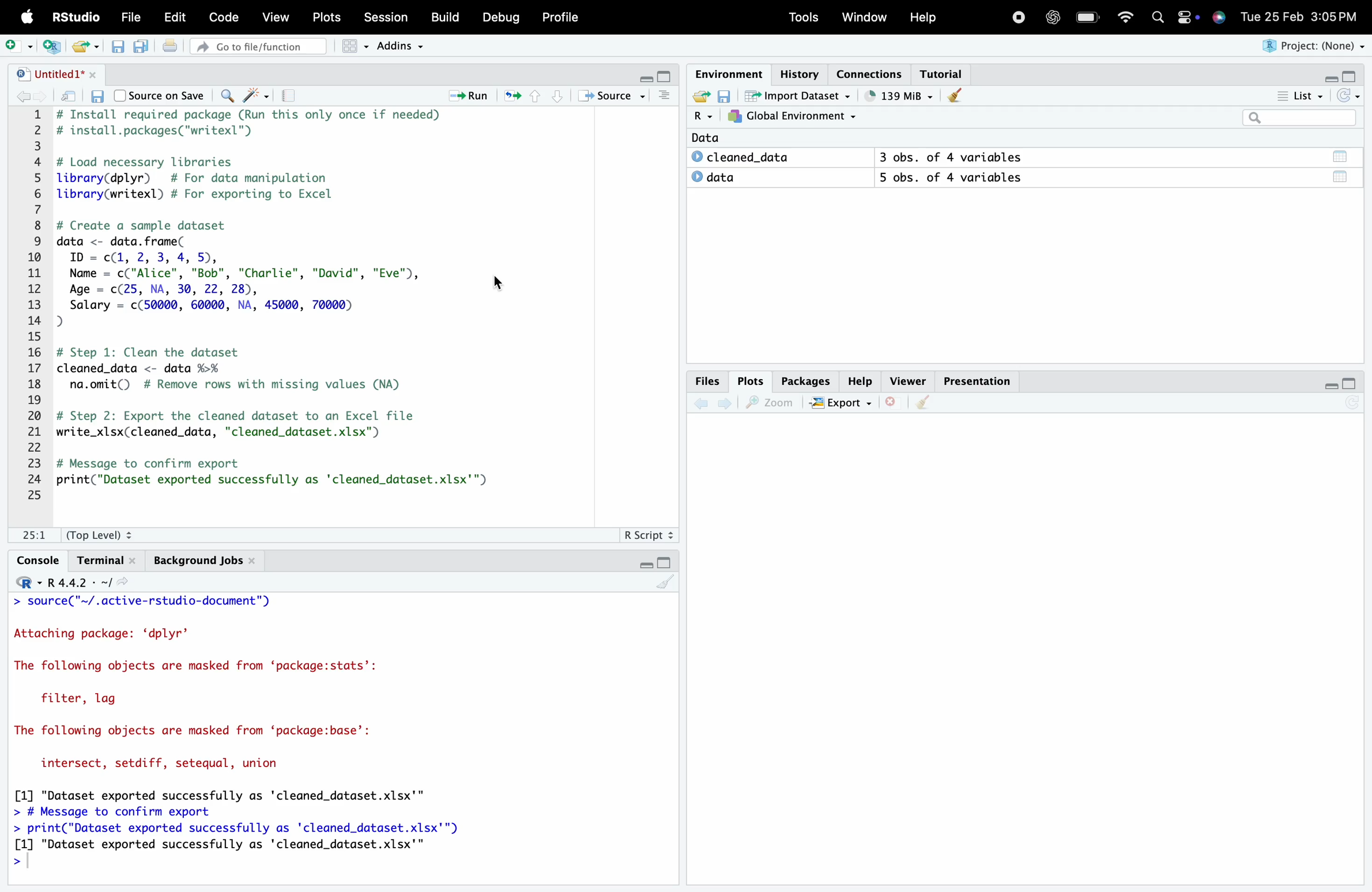 This screenshot has height=892, width=1372. What do you see at coordinates (1159, 18) in the screenshot?
I see `Search` at bounding box center [1159, 18].